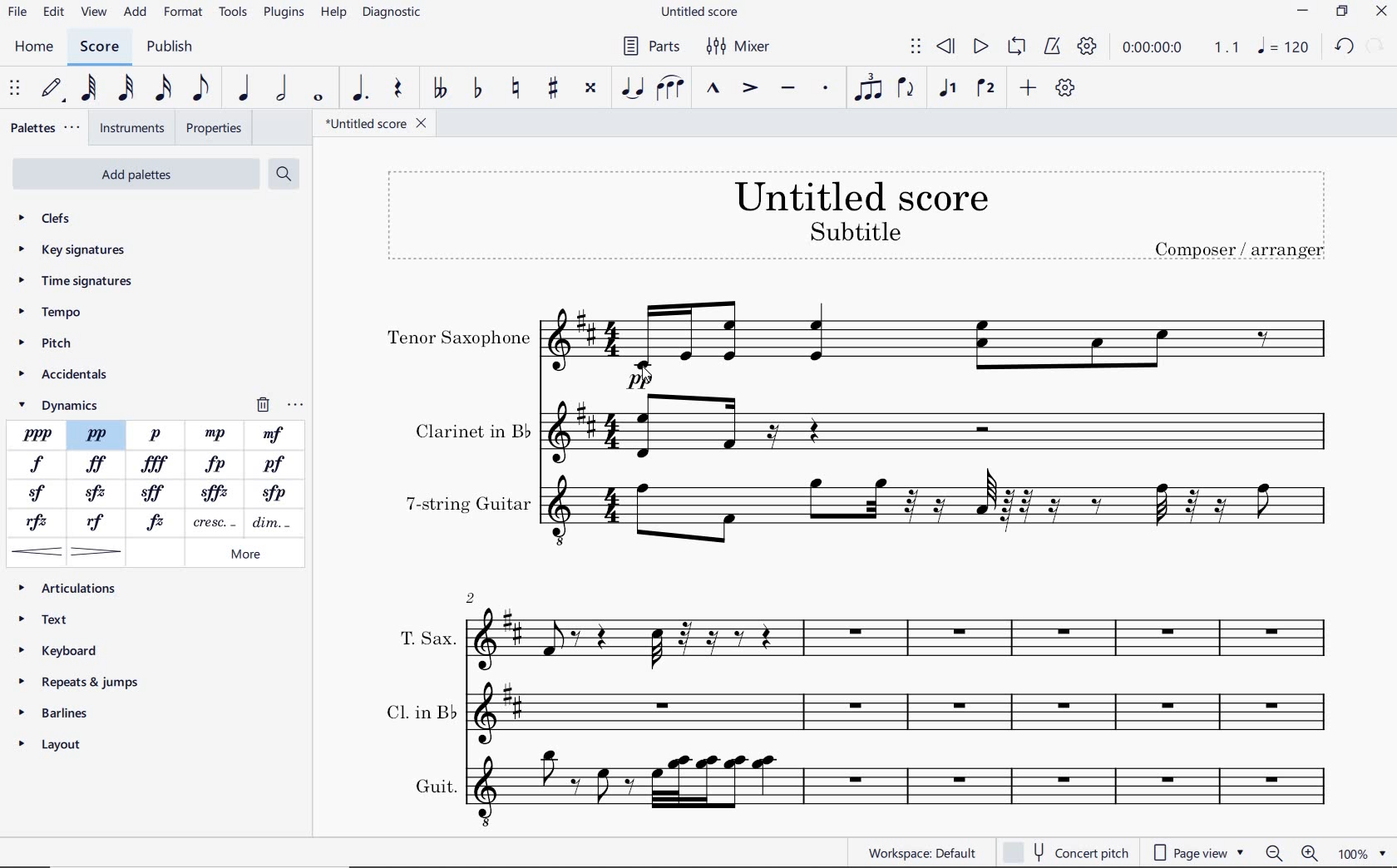  Describe the element at coordinates (285, 175) in the screenshot. I see `search palettes` at that location.